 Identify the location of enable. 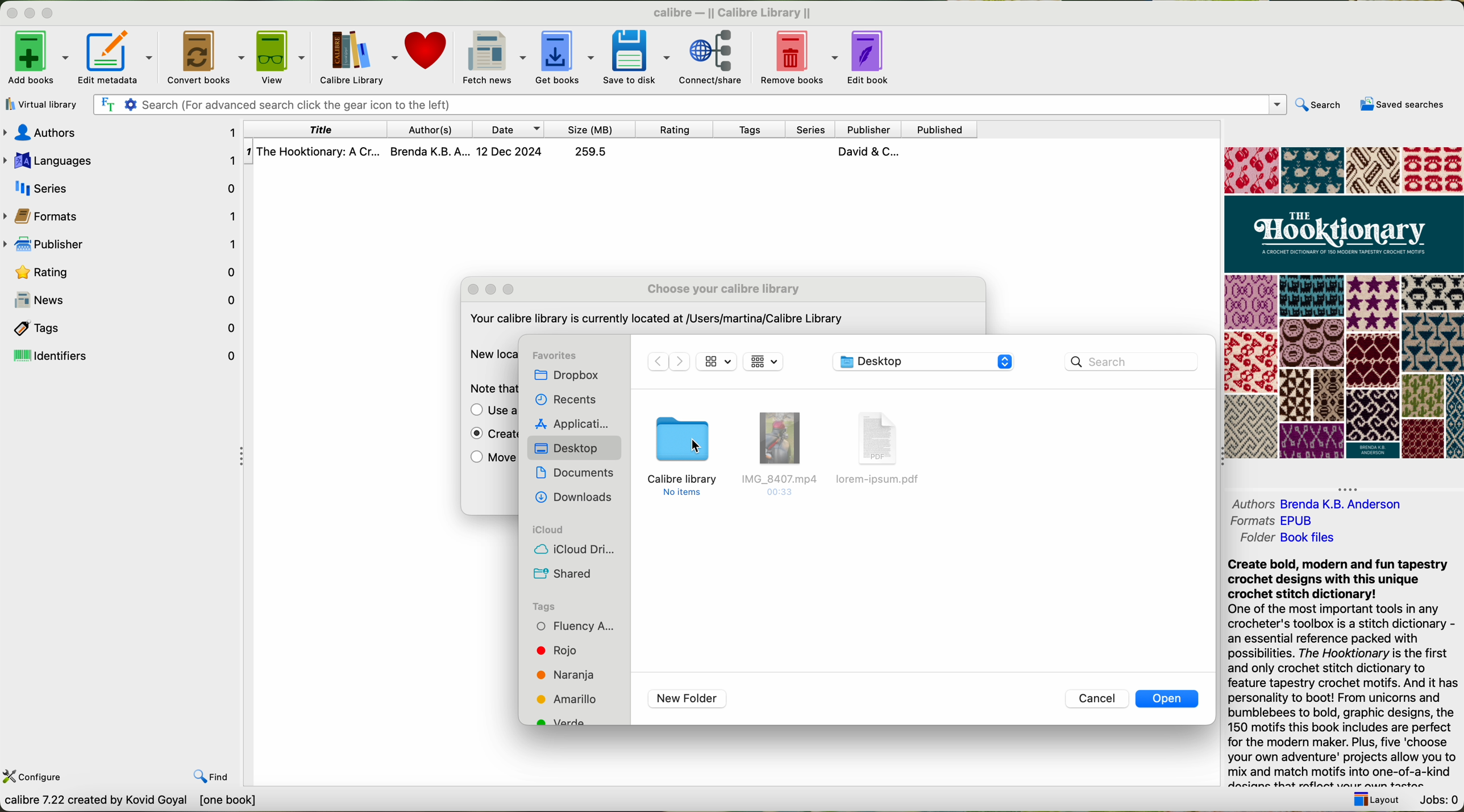
(491, 432).